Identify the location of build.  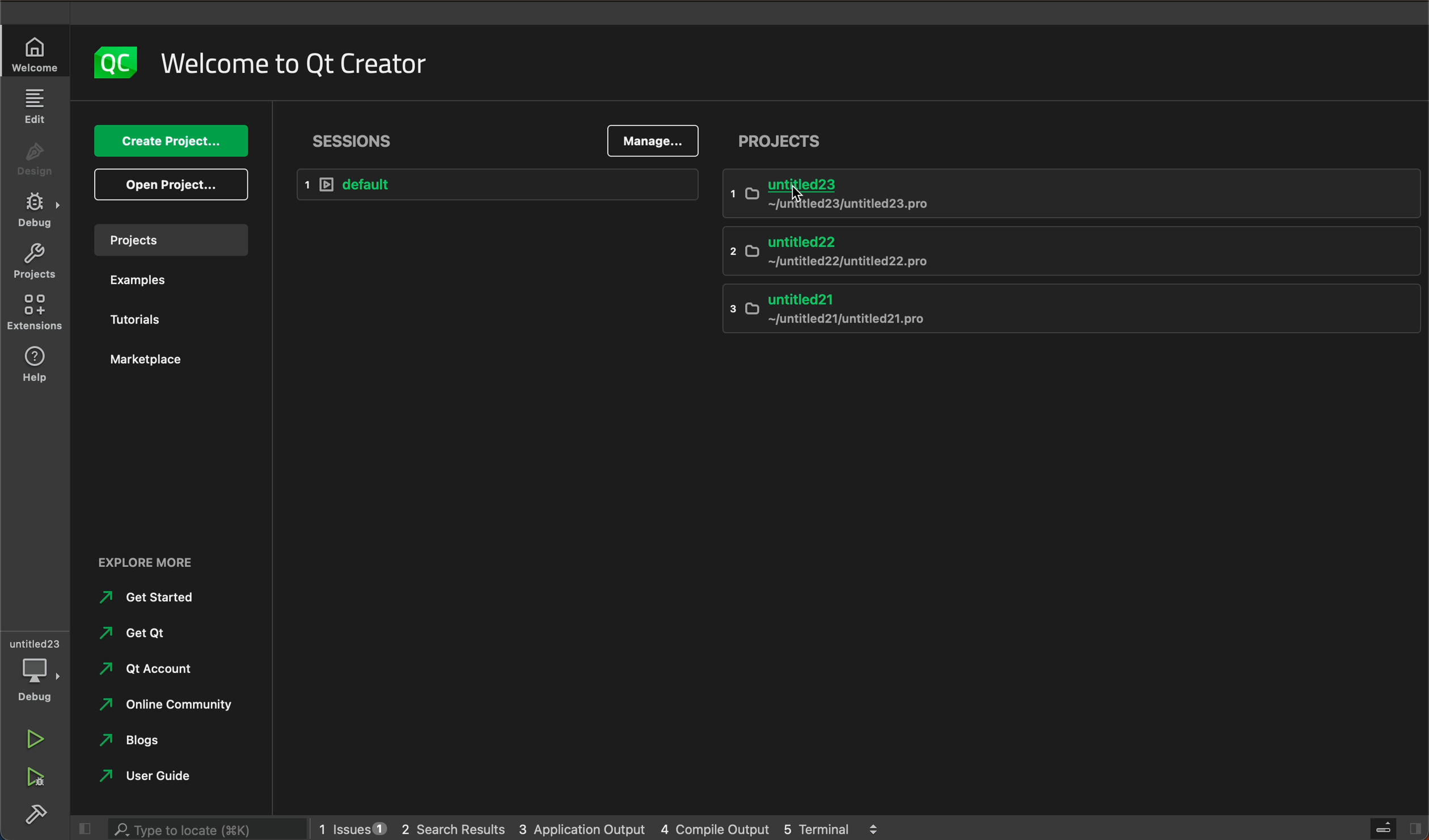
(34, 813).